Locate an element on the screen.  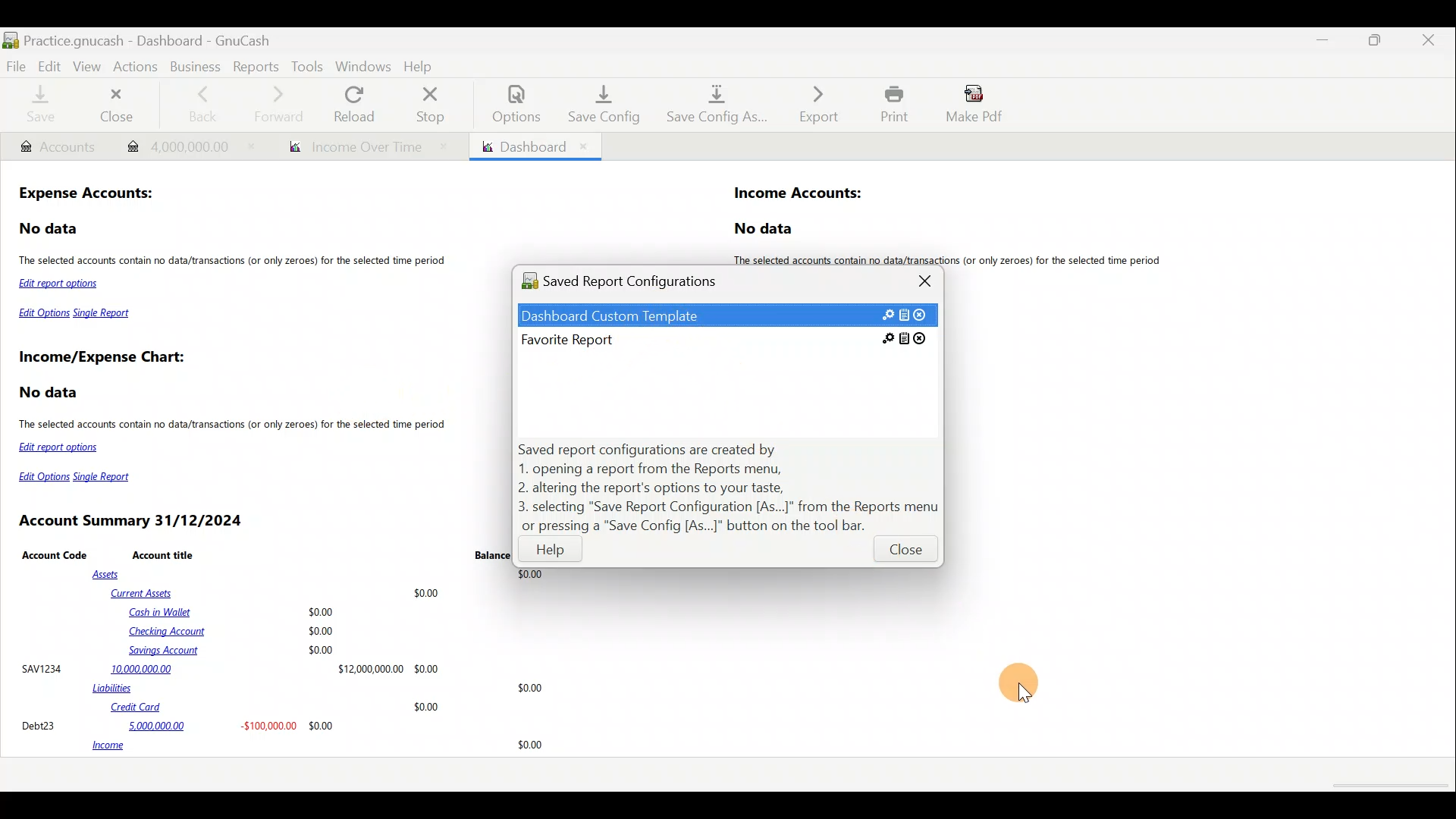
Print is located at coordinates (890, 104).